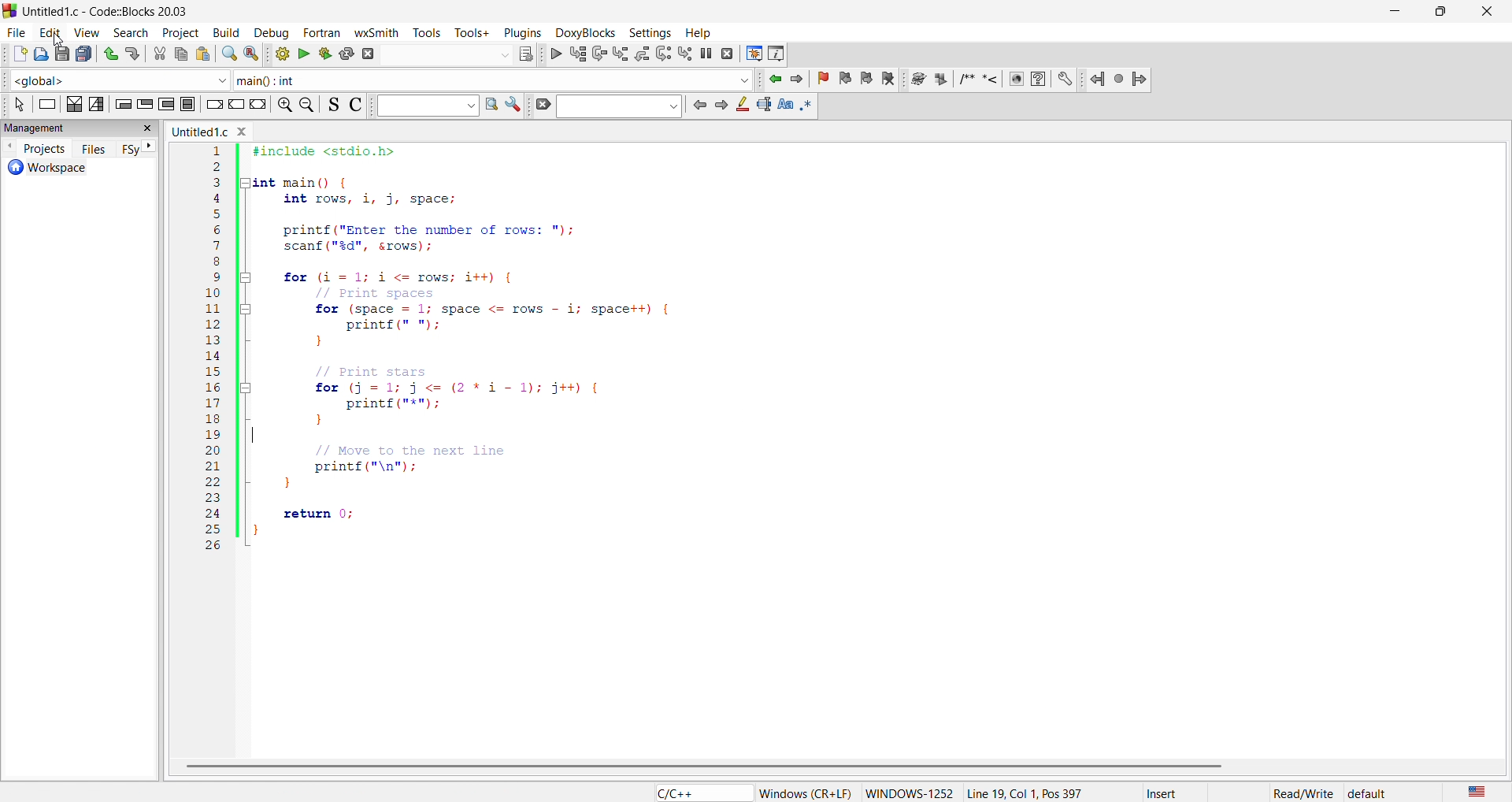 The height and width of the screenshot is (802, 1512). What do you see at coordinates (493, 80) in the screenshot?
I see `function select` at bounding box center [493, 80].